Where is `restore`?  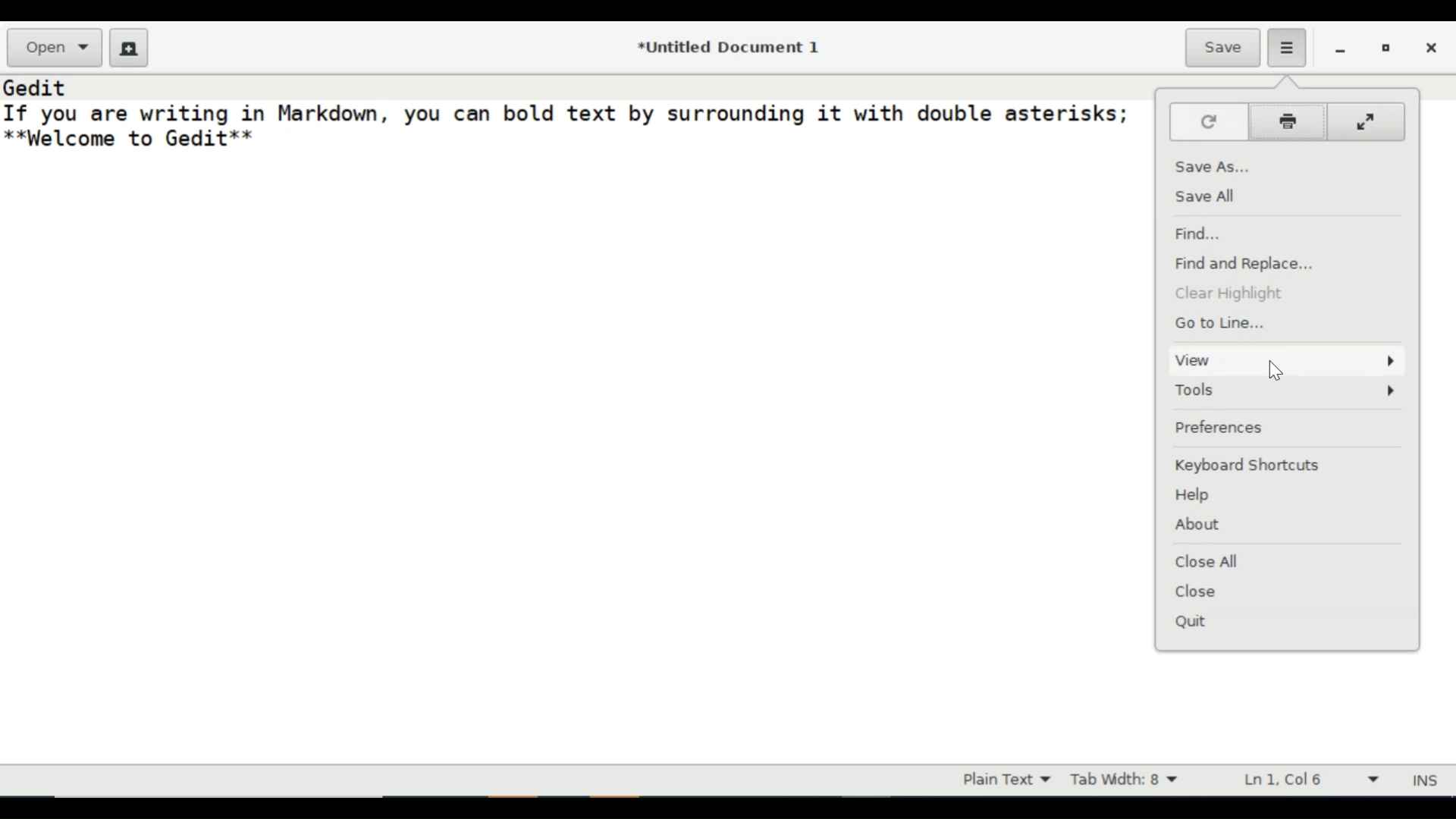
restore is located at coordinates (1391, 48).